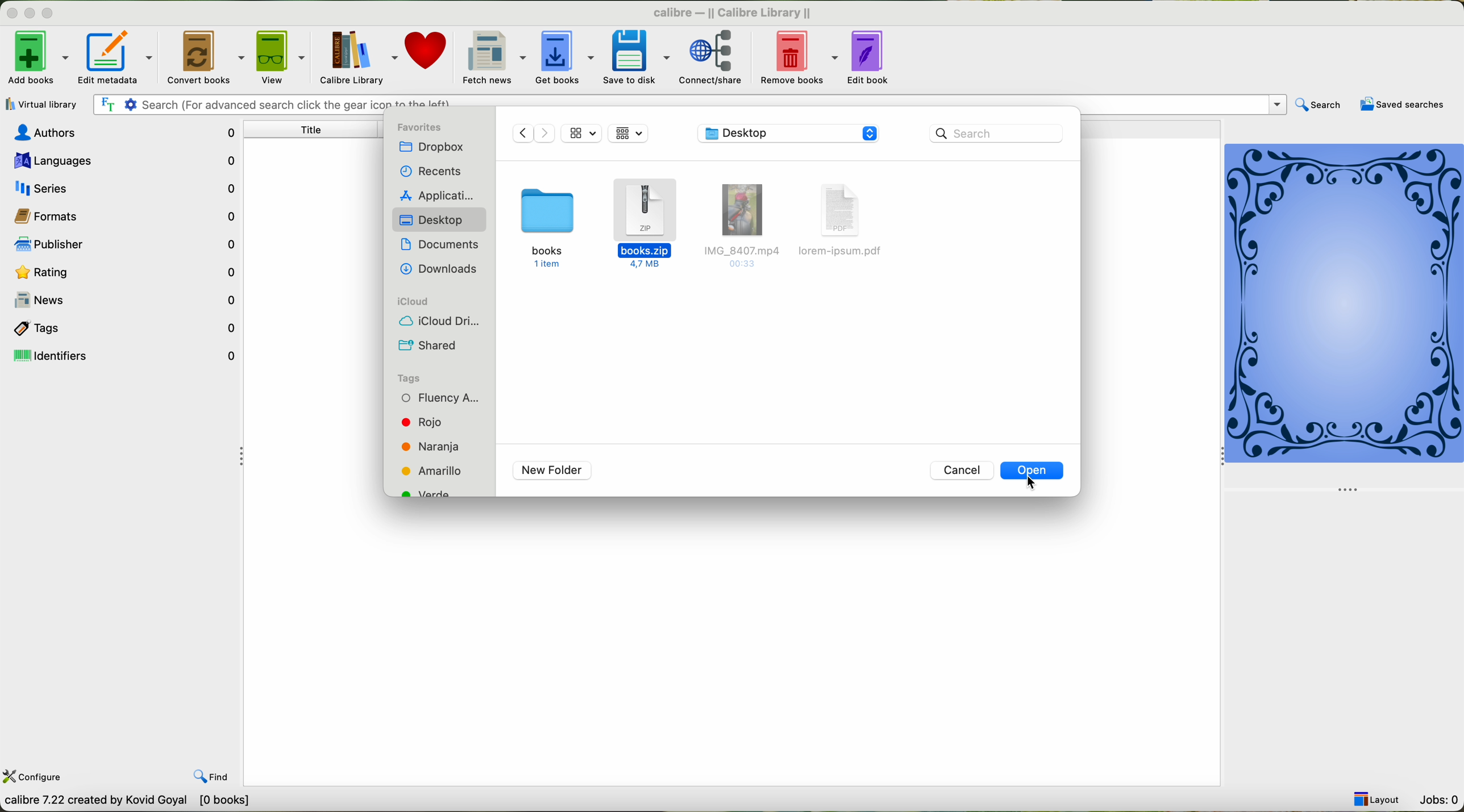 The image size is (1464, 812). What do you see at coordinates (544, 134) in the screenshot?
I see `Next` at bounding box center [544, 134].